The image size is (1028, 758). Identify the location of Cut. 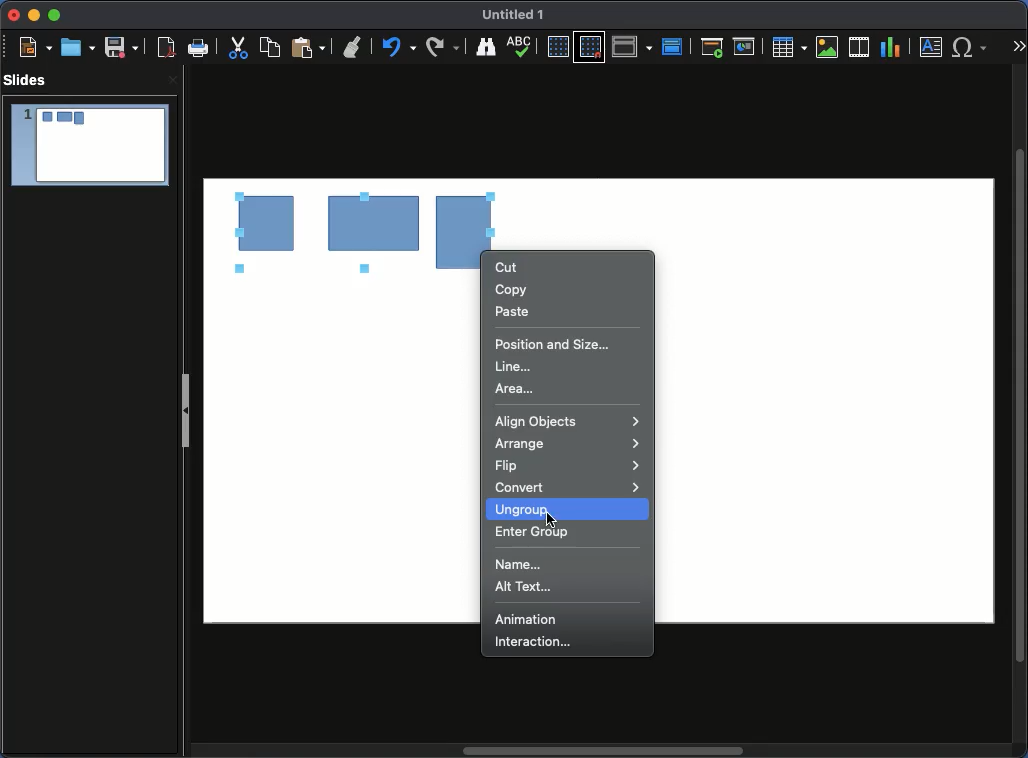
(505, 267).